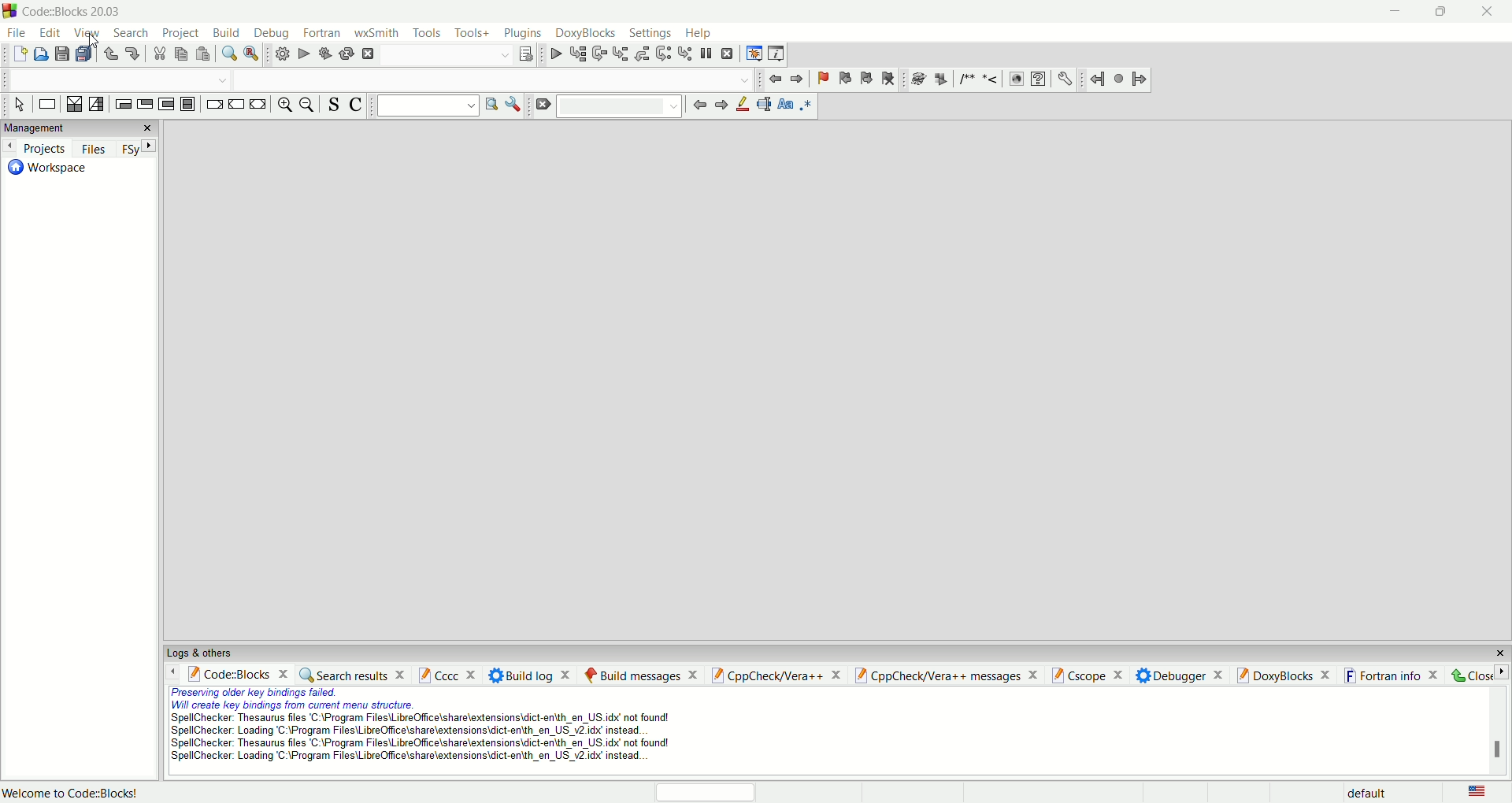  Describe the element at coordinates (36, 148) in the screenshot. I see `projects` at that location.